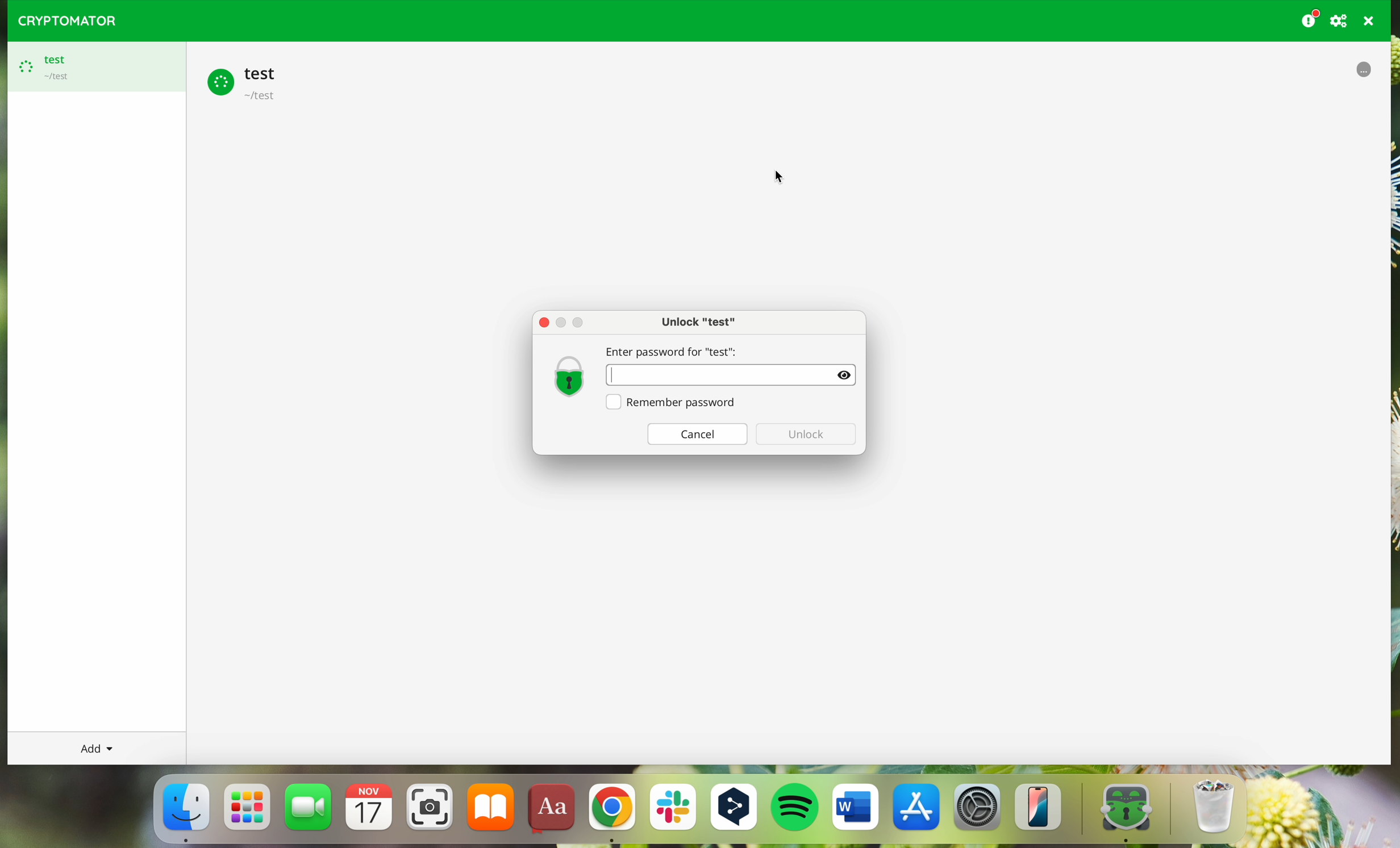  Describe the element at coordinates (978, 812) in the screenshot. I see `settings` at that location.